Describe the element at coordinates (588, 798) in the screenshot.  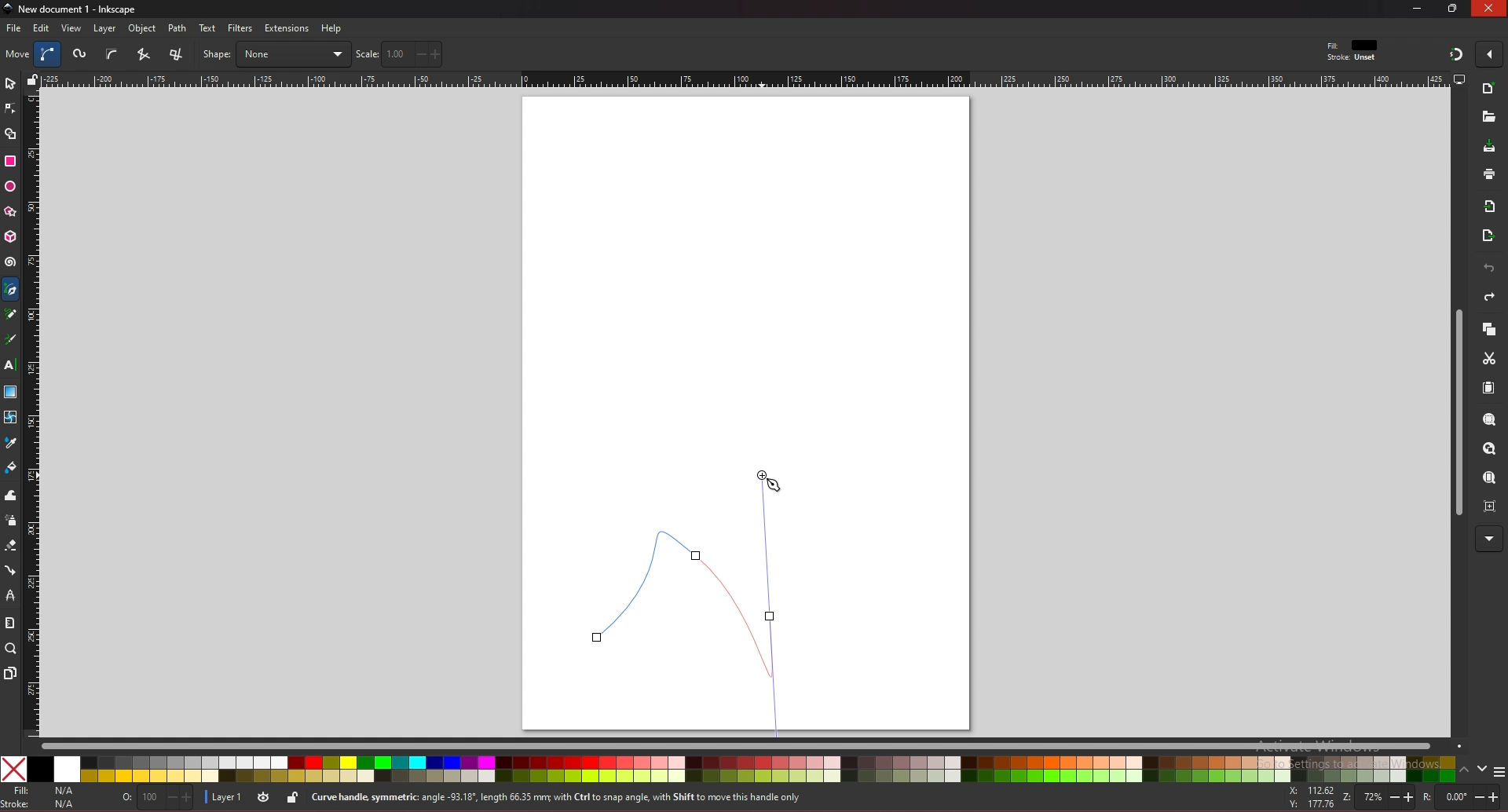
I see `info` at that location.